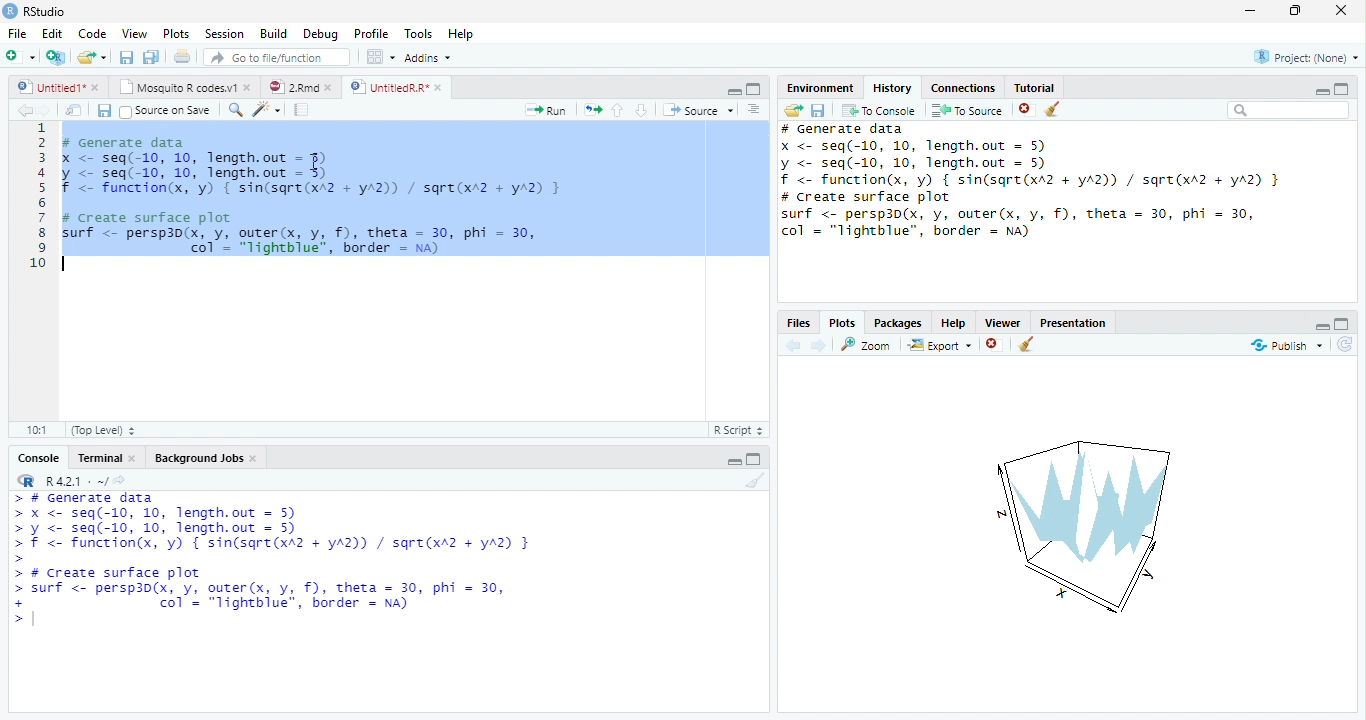 This screenshot has width=1366, height=720. Describe the element at coordinates (1322, 327) in the screenshot. I see `minimize` at that location.